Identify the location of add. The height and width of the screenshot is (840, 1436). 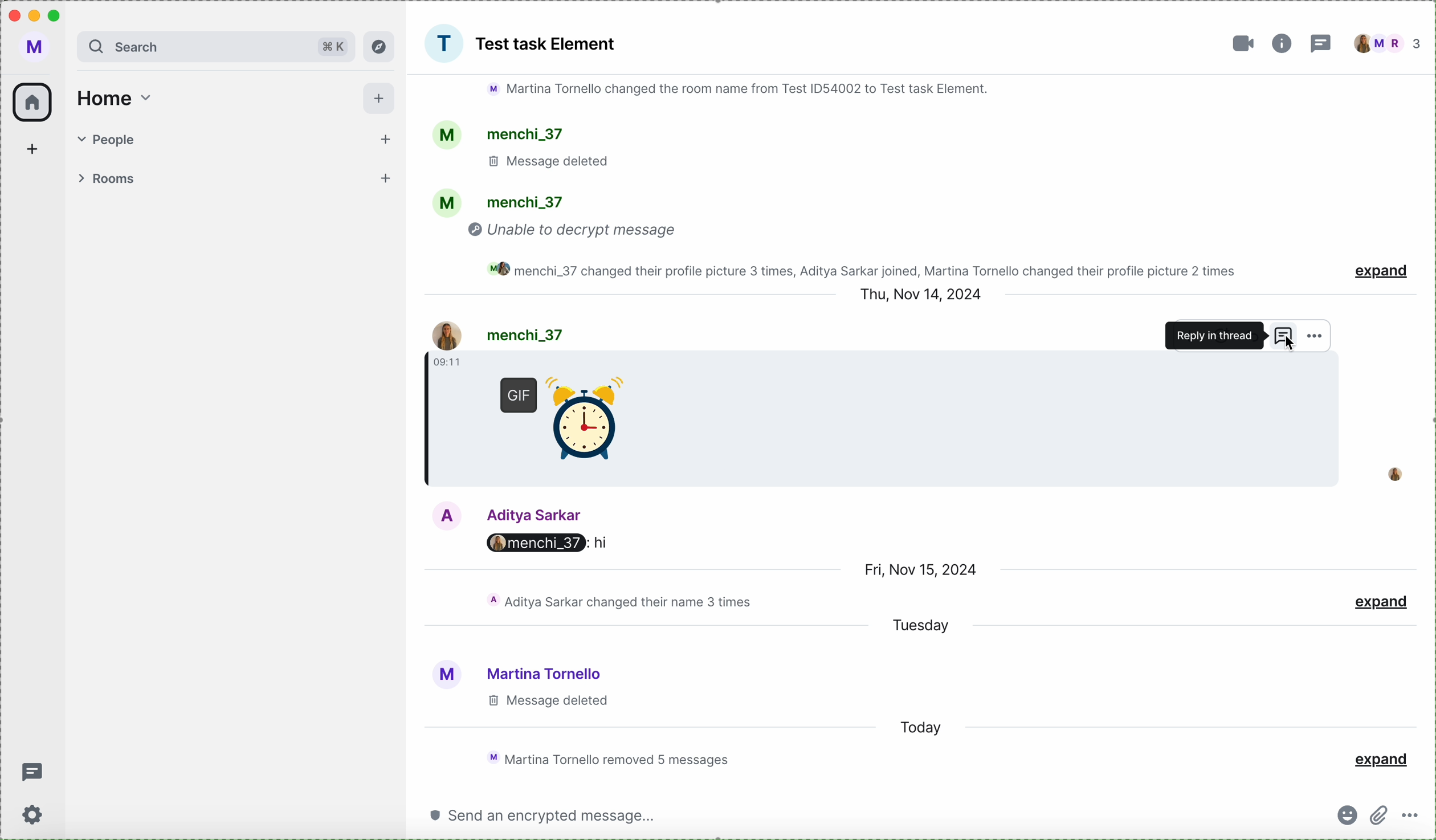
(380, 99).